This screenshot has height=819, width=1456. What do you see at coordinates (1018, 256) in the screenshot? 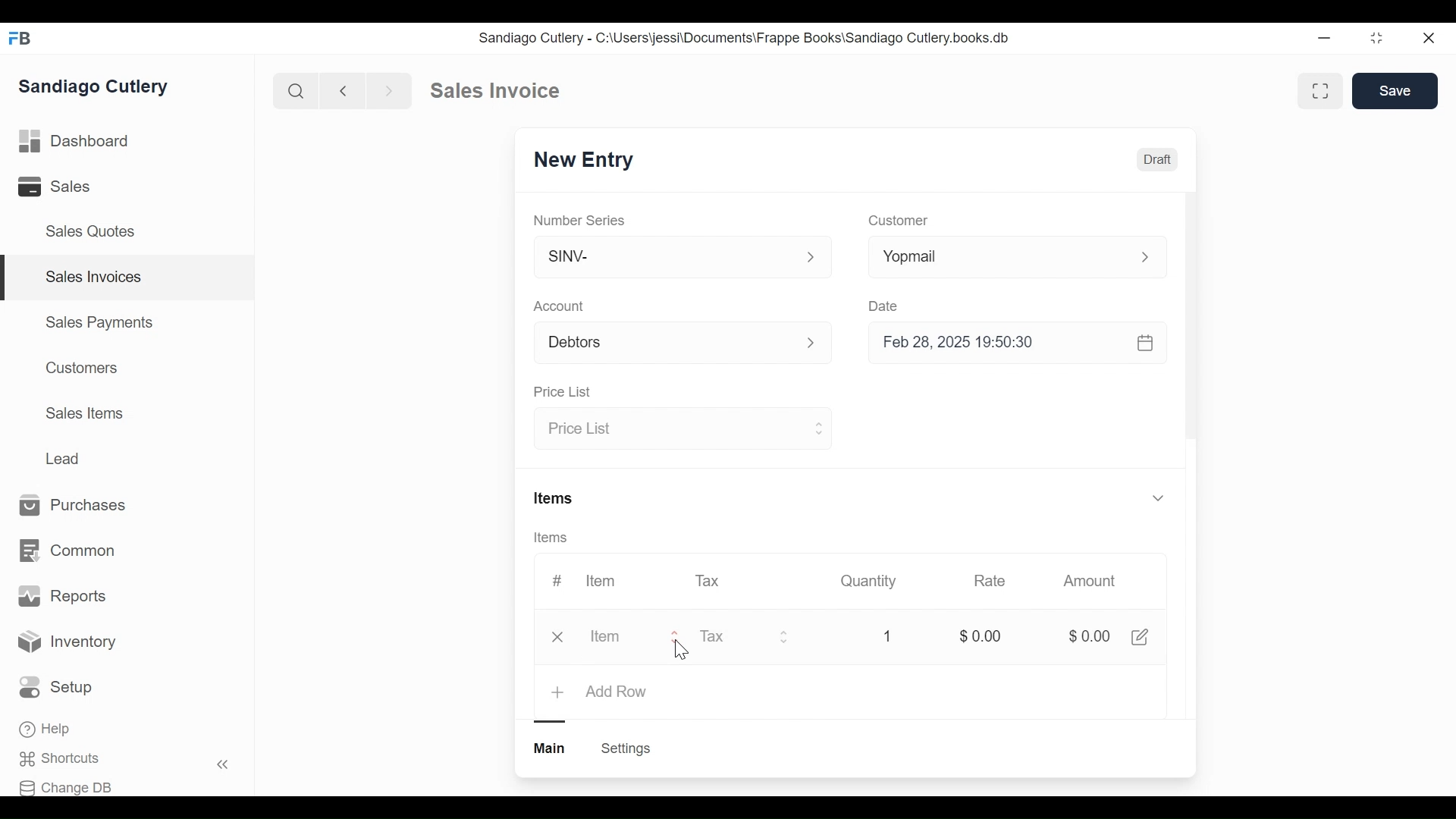
I see `Yopmail` at bounding box center [1018, 256].